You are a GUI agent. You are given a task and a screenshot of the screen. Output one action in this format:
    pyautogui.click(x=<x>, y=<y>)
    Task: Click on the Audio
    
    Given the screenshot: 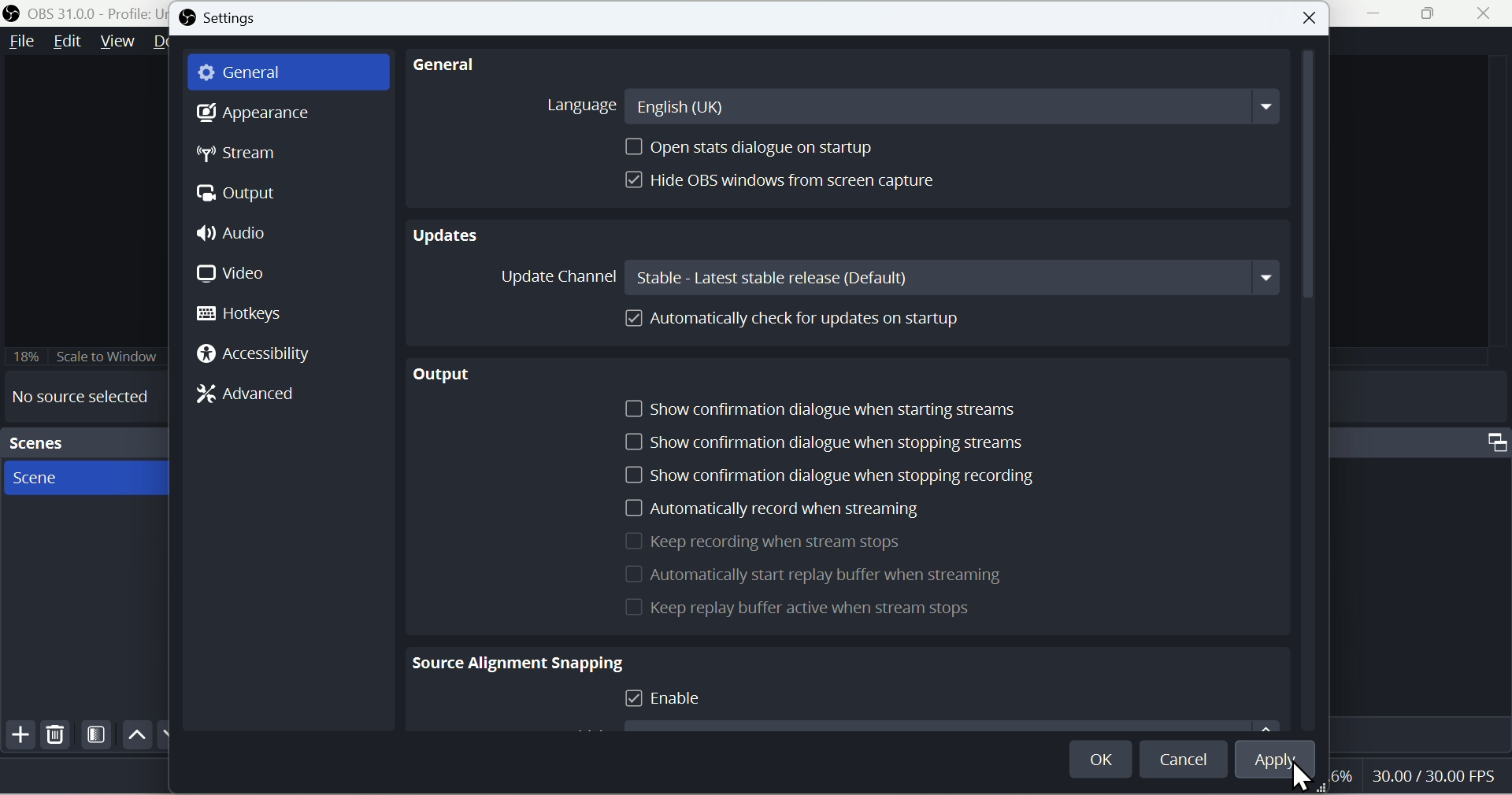 What is the action you would take?
    pyautogui.click(x=244, y=231)
    